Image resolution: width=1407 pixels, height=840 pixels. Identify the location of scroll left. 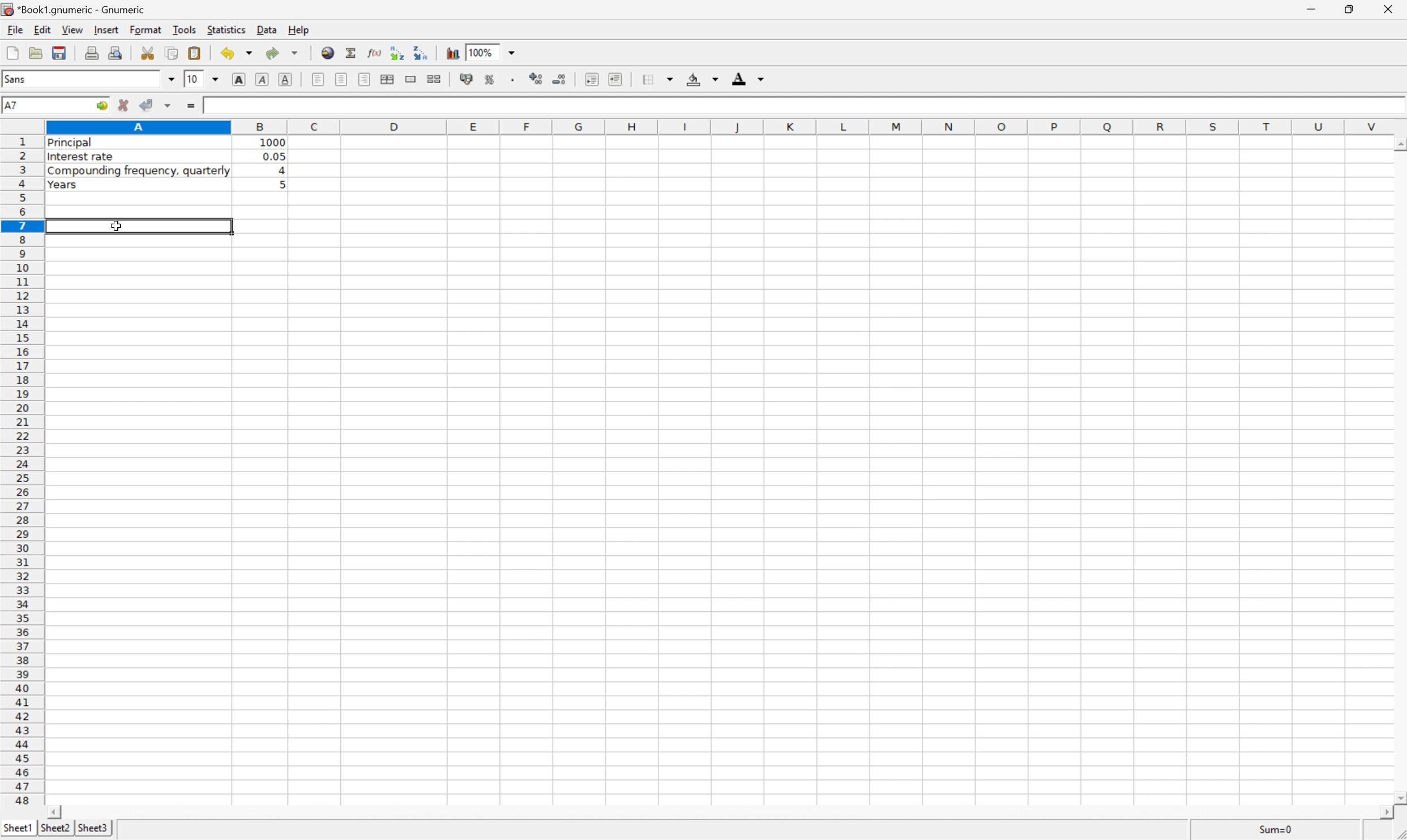
(57, 812).